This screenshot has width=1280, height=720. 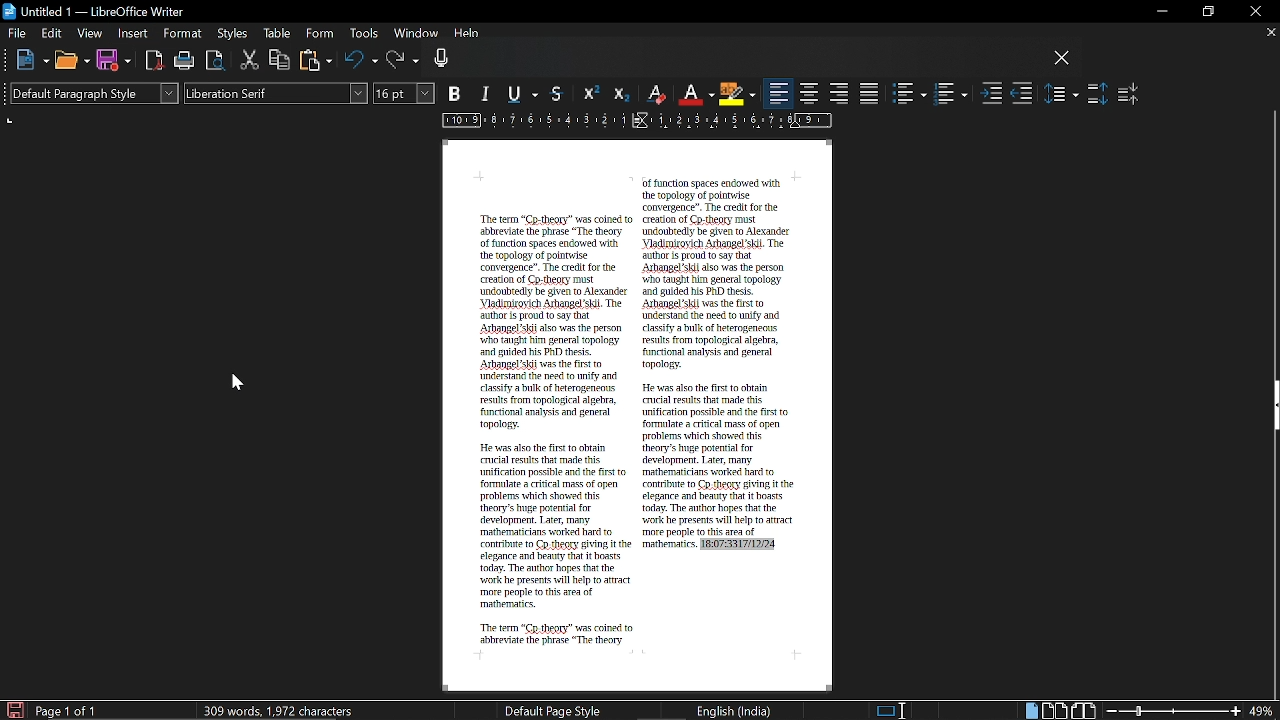 I want to click on cursor, so click(x=238, y=383).